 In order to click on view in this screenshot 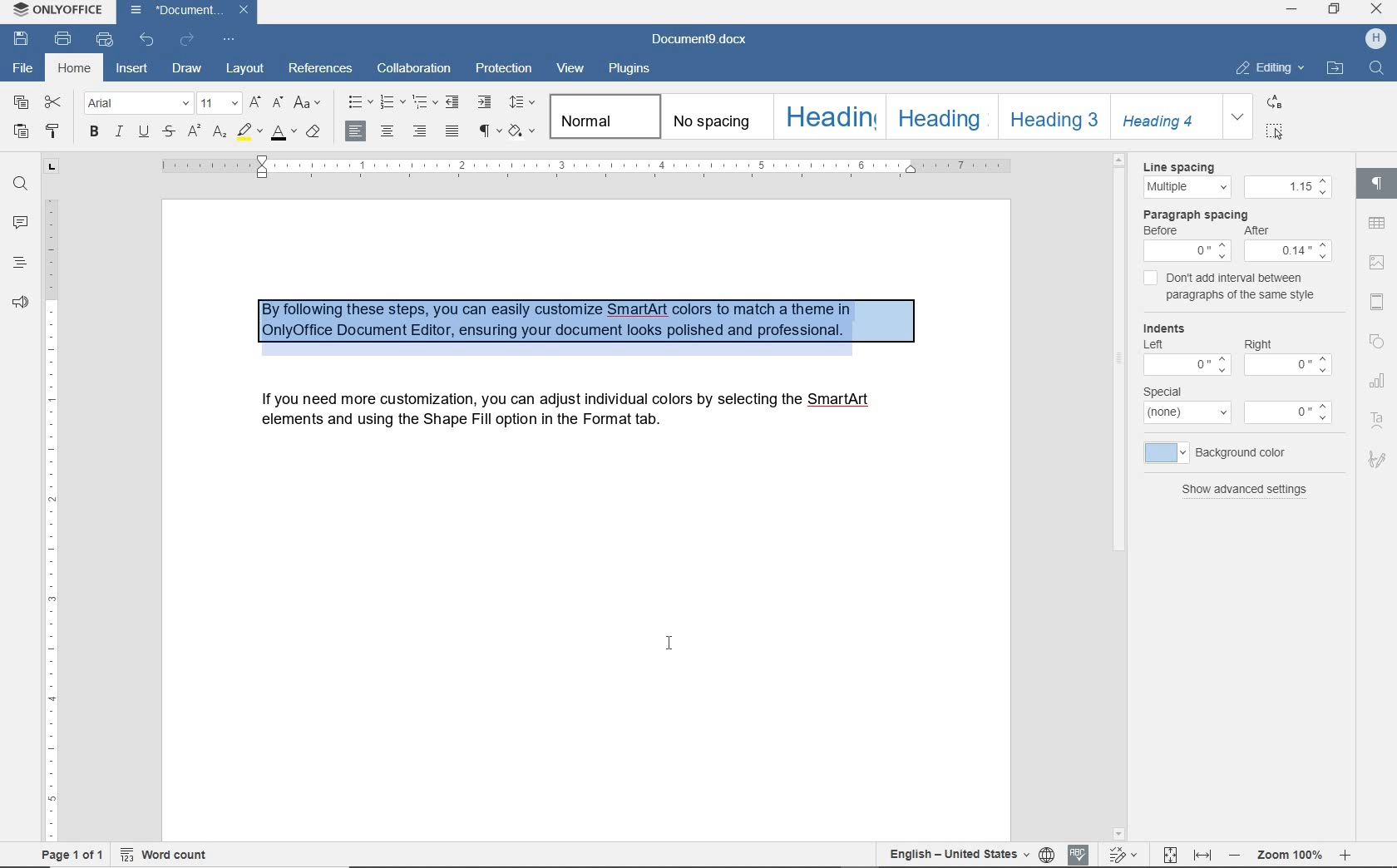, I will do `click(572, 69)`.